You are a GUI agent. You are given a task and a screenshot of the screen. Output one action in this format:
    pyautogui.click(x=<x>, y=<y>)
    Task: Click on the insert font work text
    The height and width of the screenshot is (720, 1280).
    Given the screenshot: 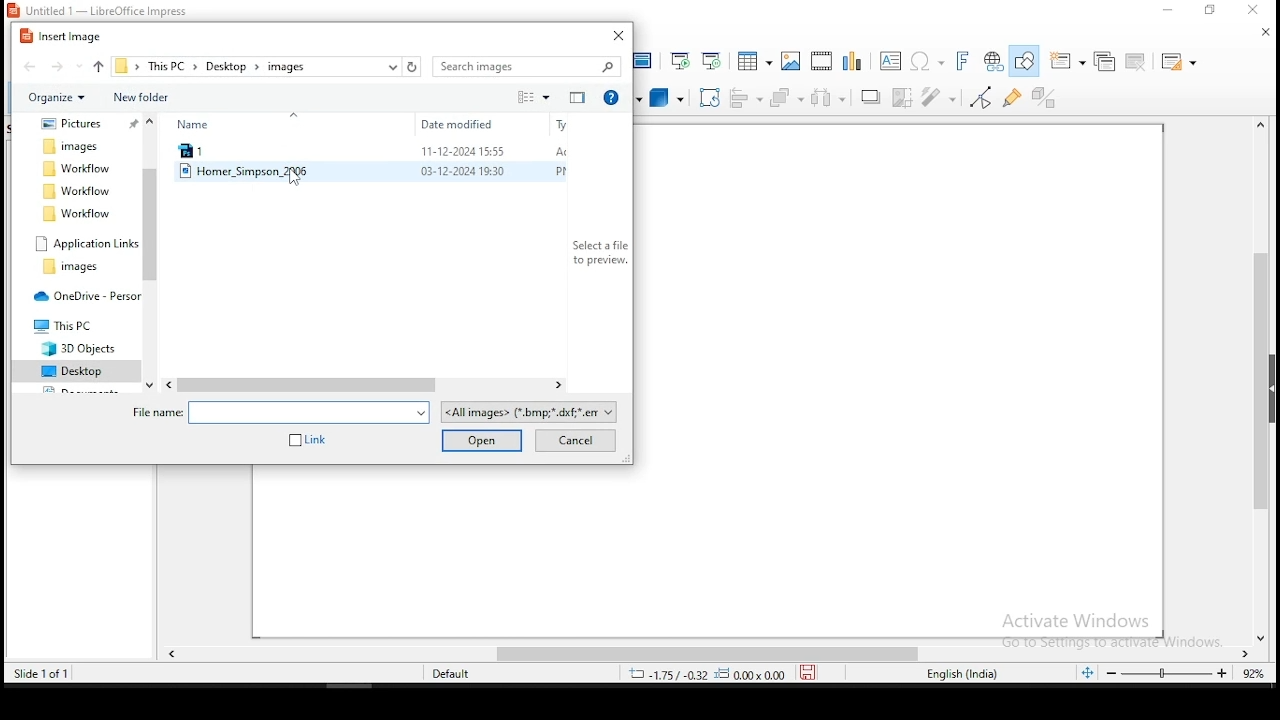 What is the action you would take?
    pyautogui.click(x=963, y=60)
    